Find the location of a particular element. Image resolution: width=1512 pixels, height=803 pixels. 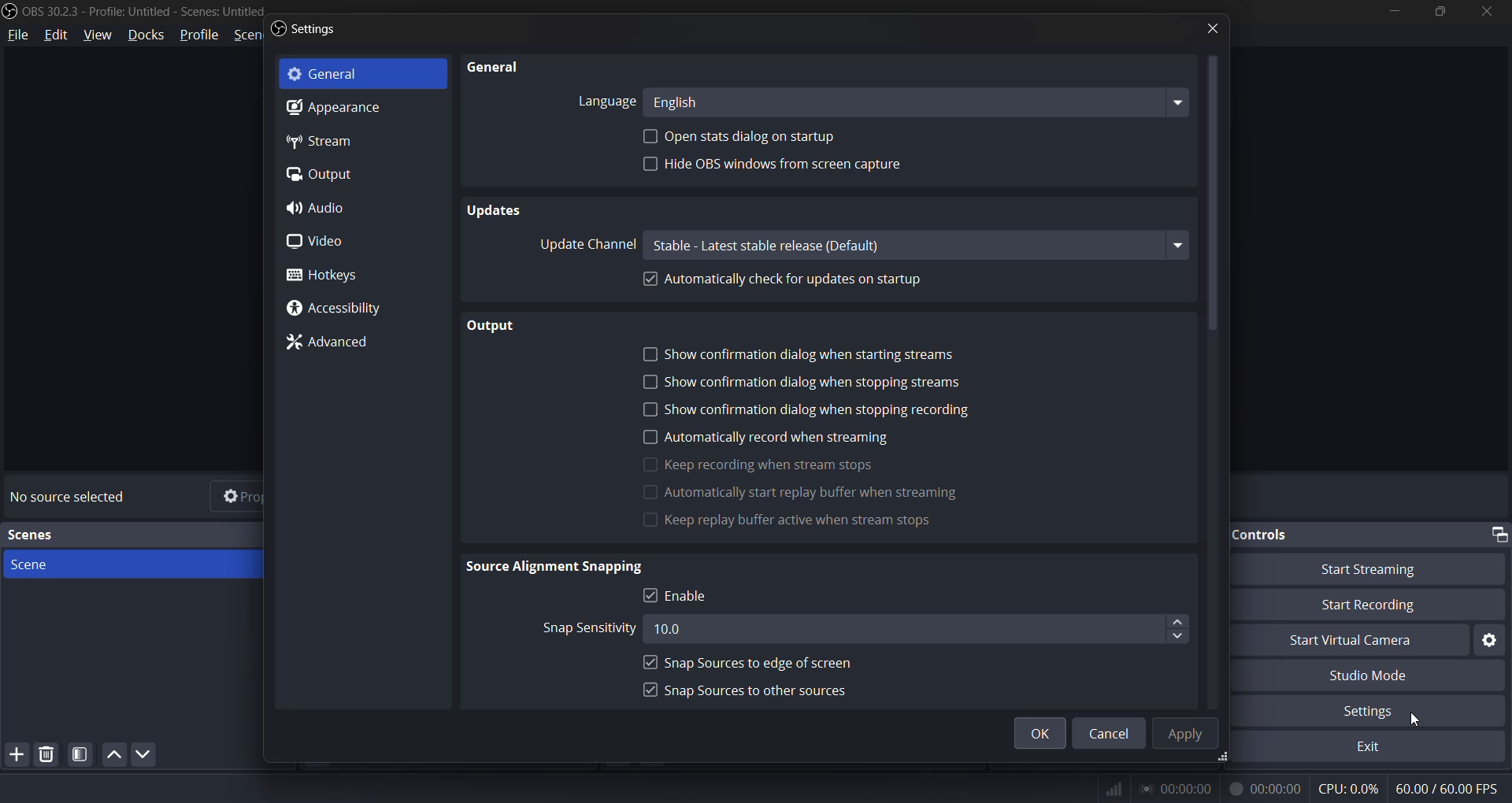

english is located at coordinates (919, 100).